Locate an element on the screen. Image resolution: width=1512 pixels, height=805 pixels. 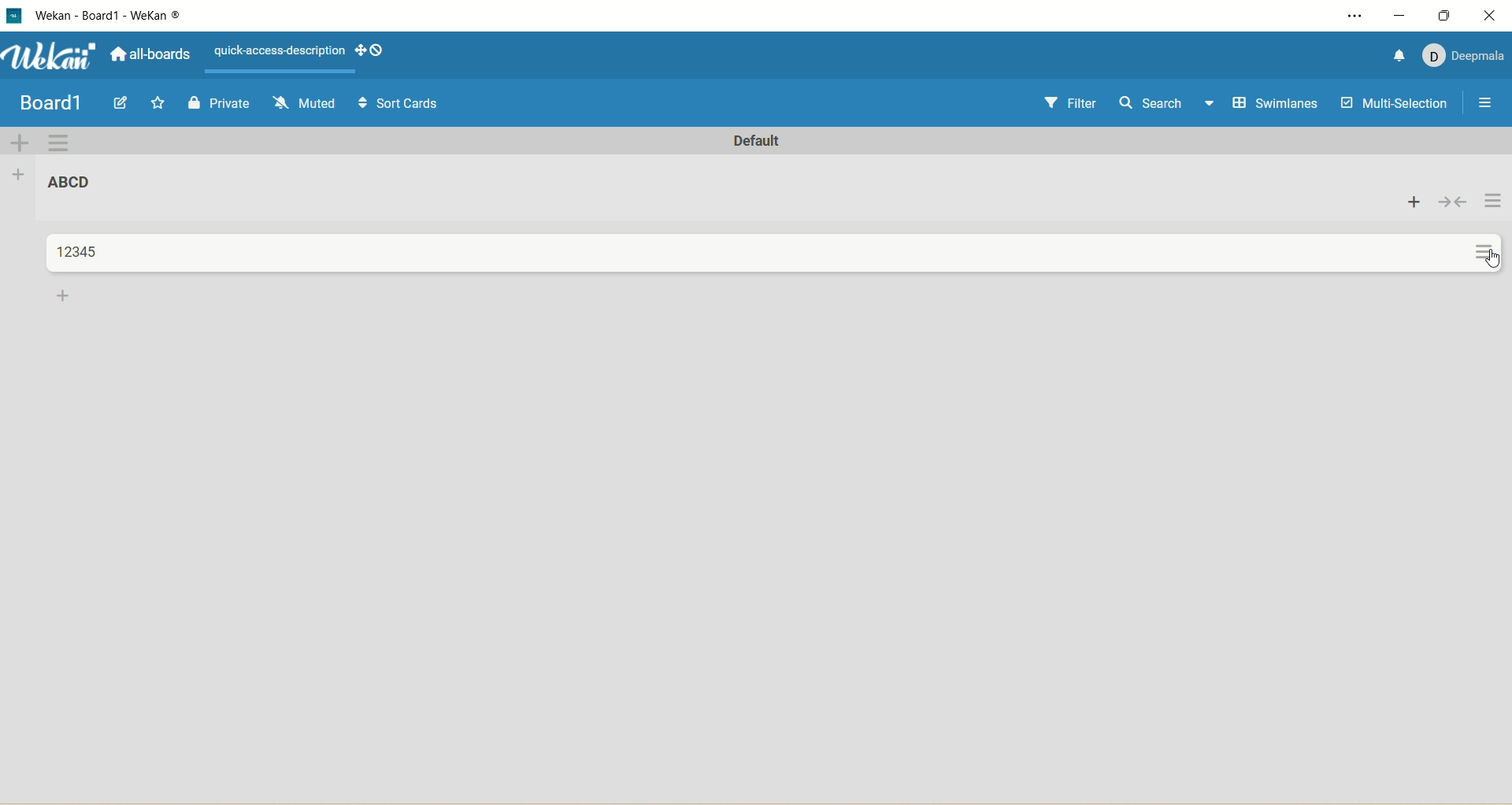
list title is located at coordinates (70, 181).